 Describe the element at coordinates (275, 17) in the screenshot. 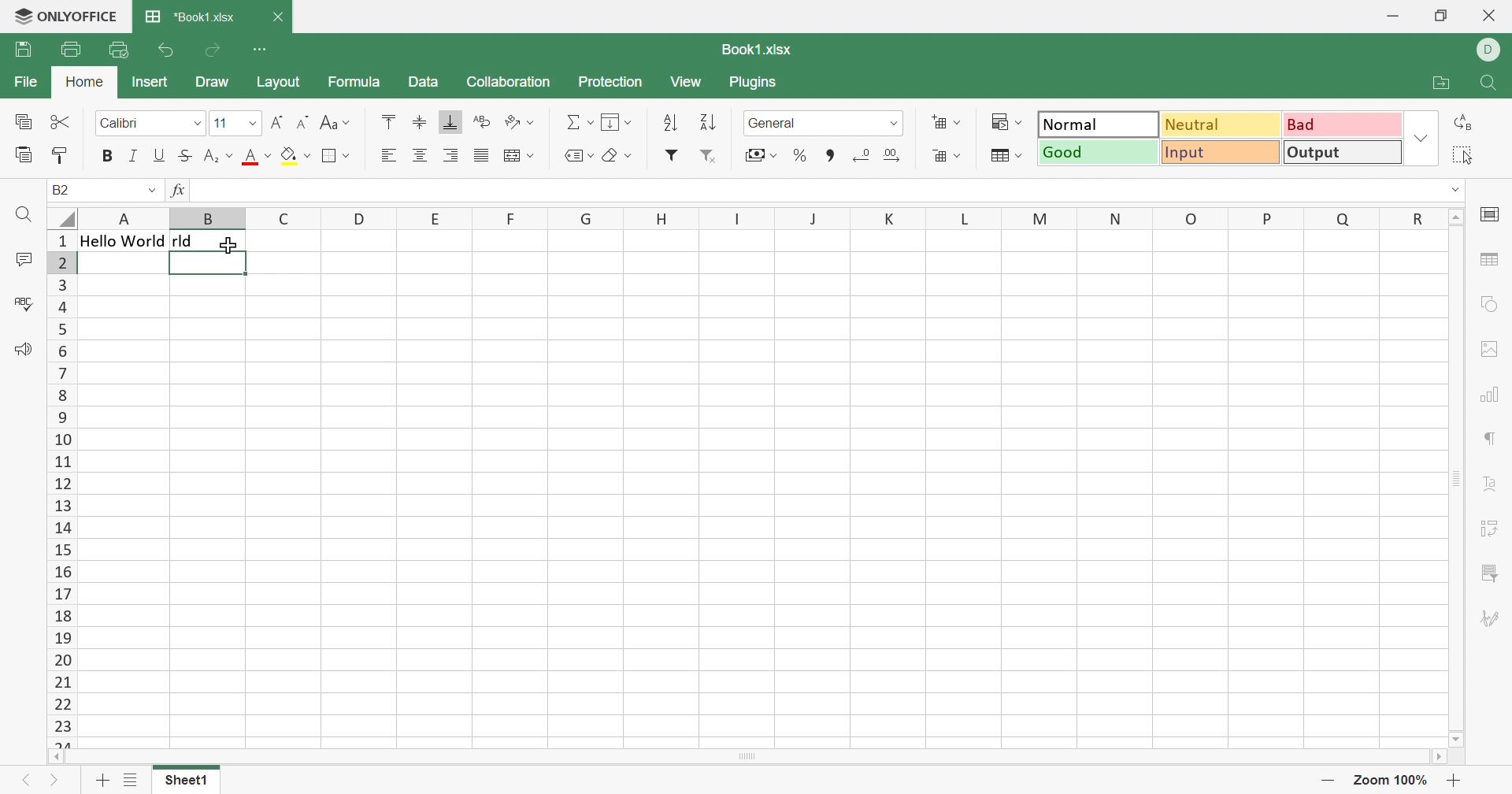

I see `Close` at that location.